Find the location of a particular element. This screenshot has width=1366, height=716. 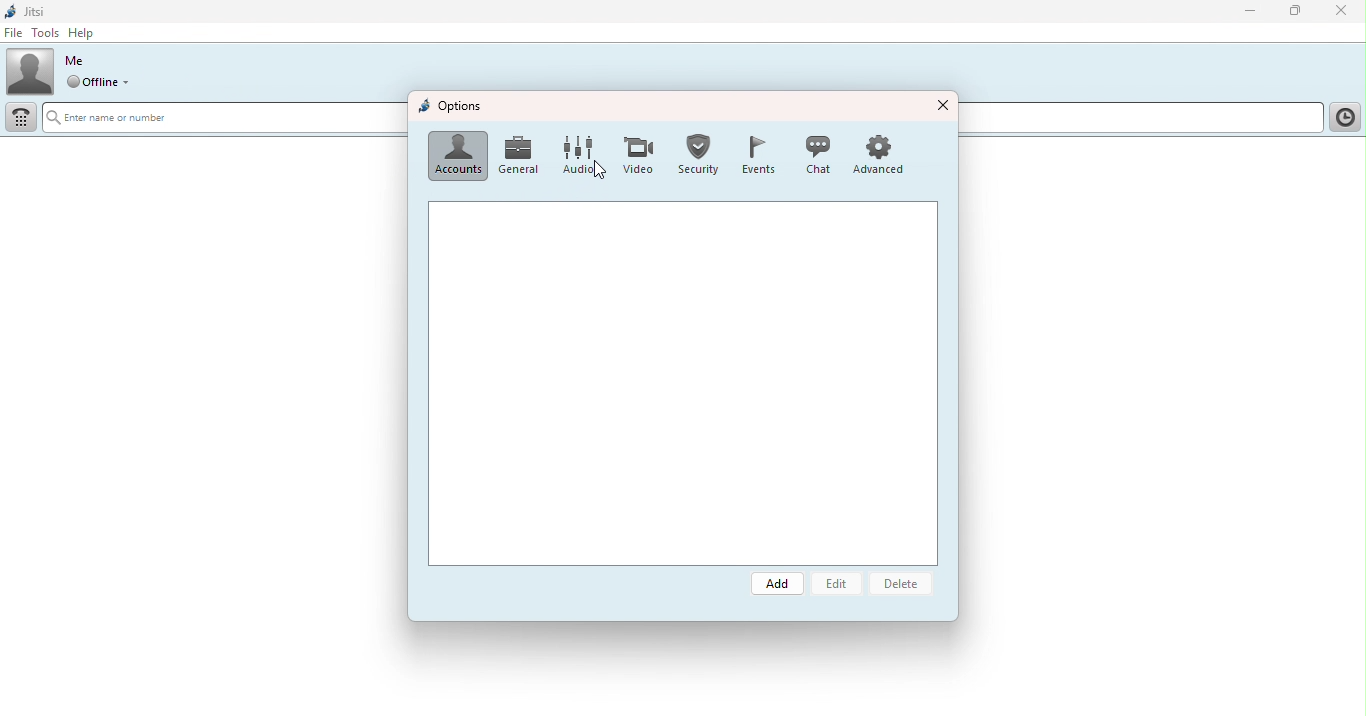

Edit is located at coordinates (842, 585).